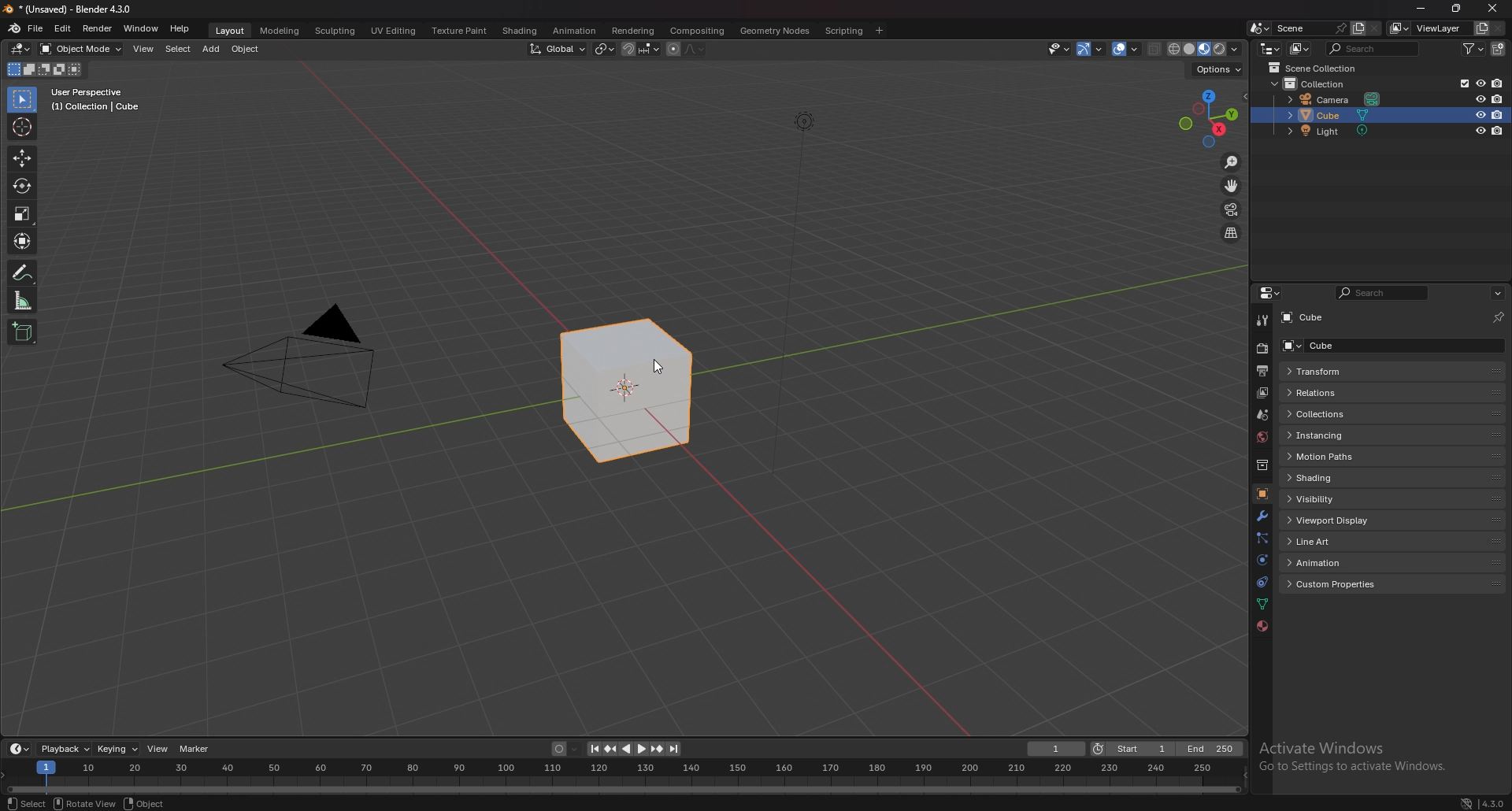 The height and width of the screenshot is (811, 1512). What do you see at coordinates (1479, 83) in the screenshot?
I see `hide in viewport` at bounding box center [1479, 83].